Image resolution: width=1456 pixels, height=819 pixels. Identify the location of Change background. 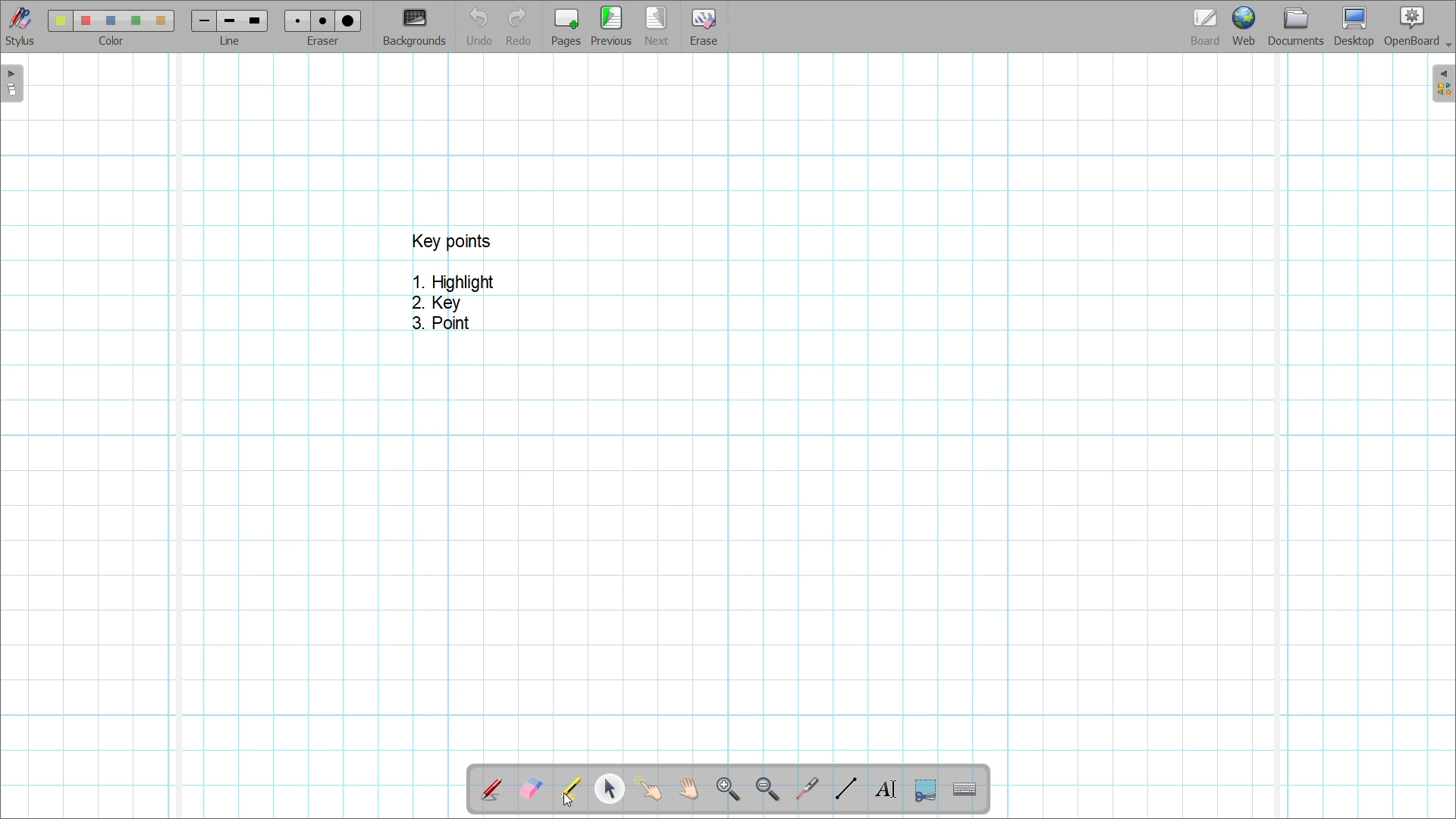
(414, 27).